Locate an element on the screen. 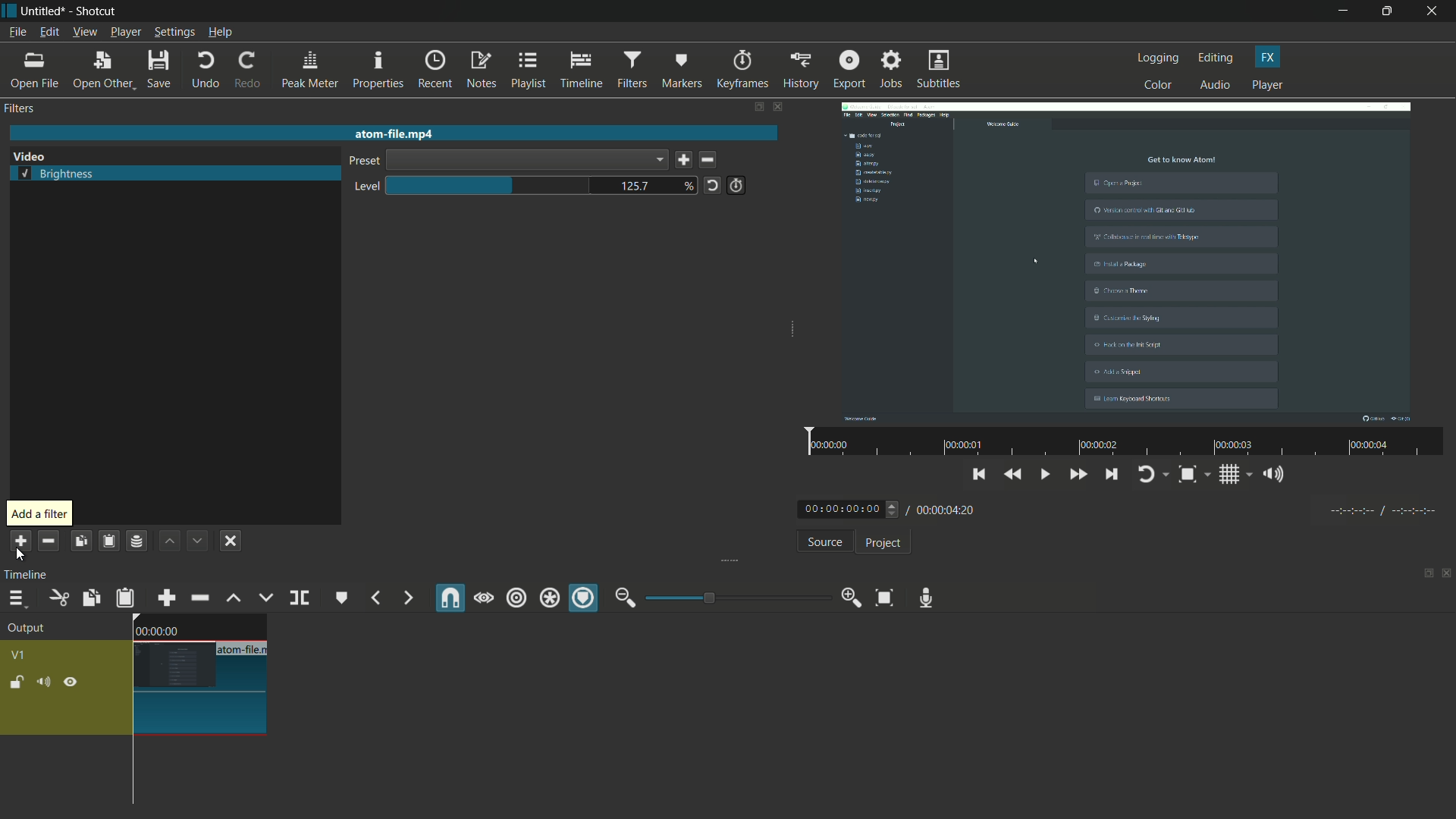  audio is located at coordinates (1216, 86).